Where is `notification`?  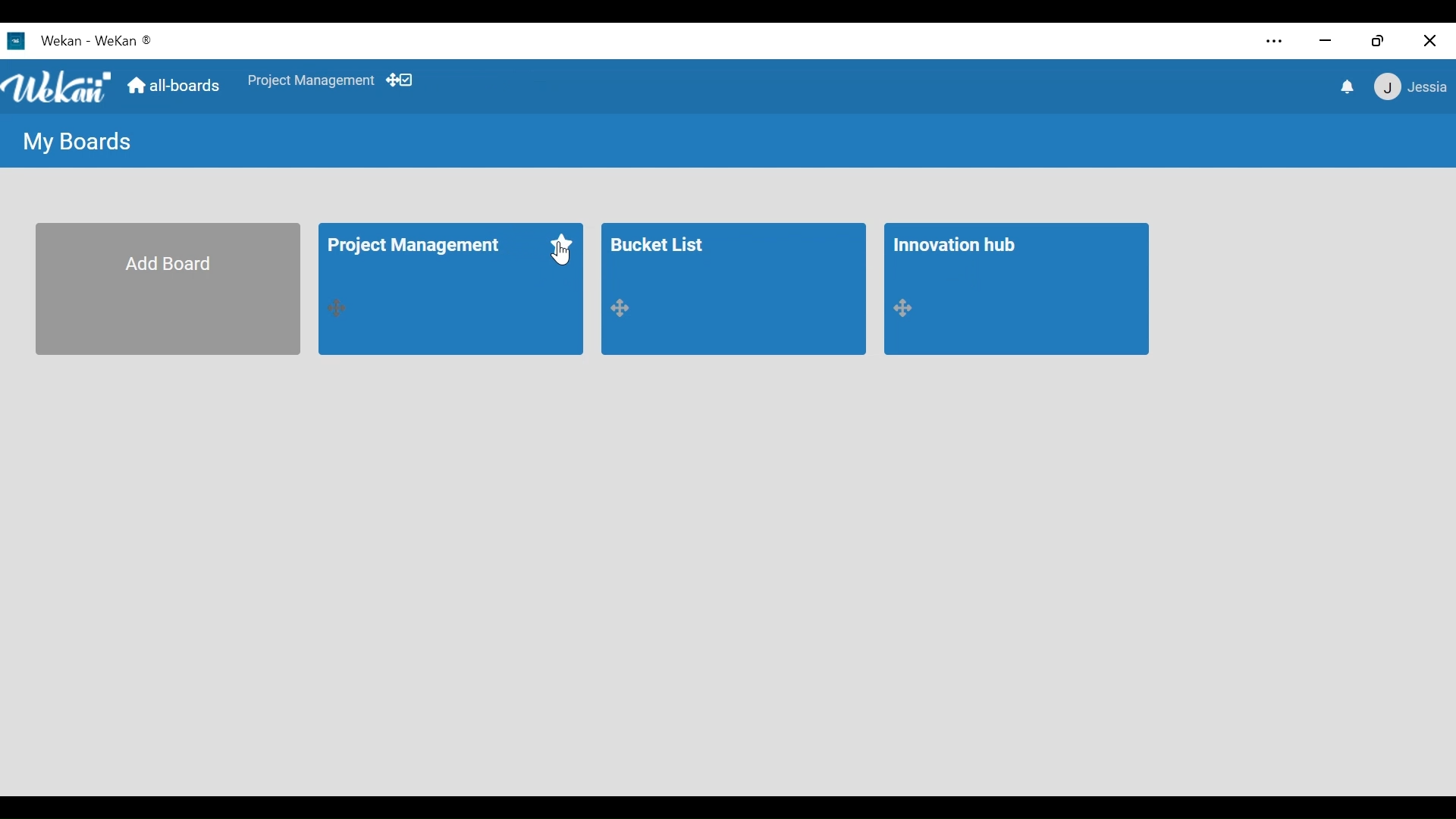 notification is located at coordinates (1345, 86).